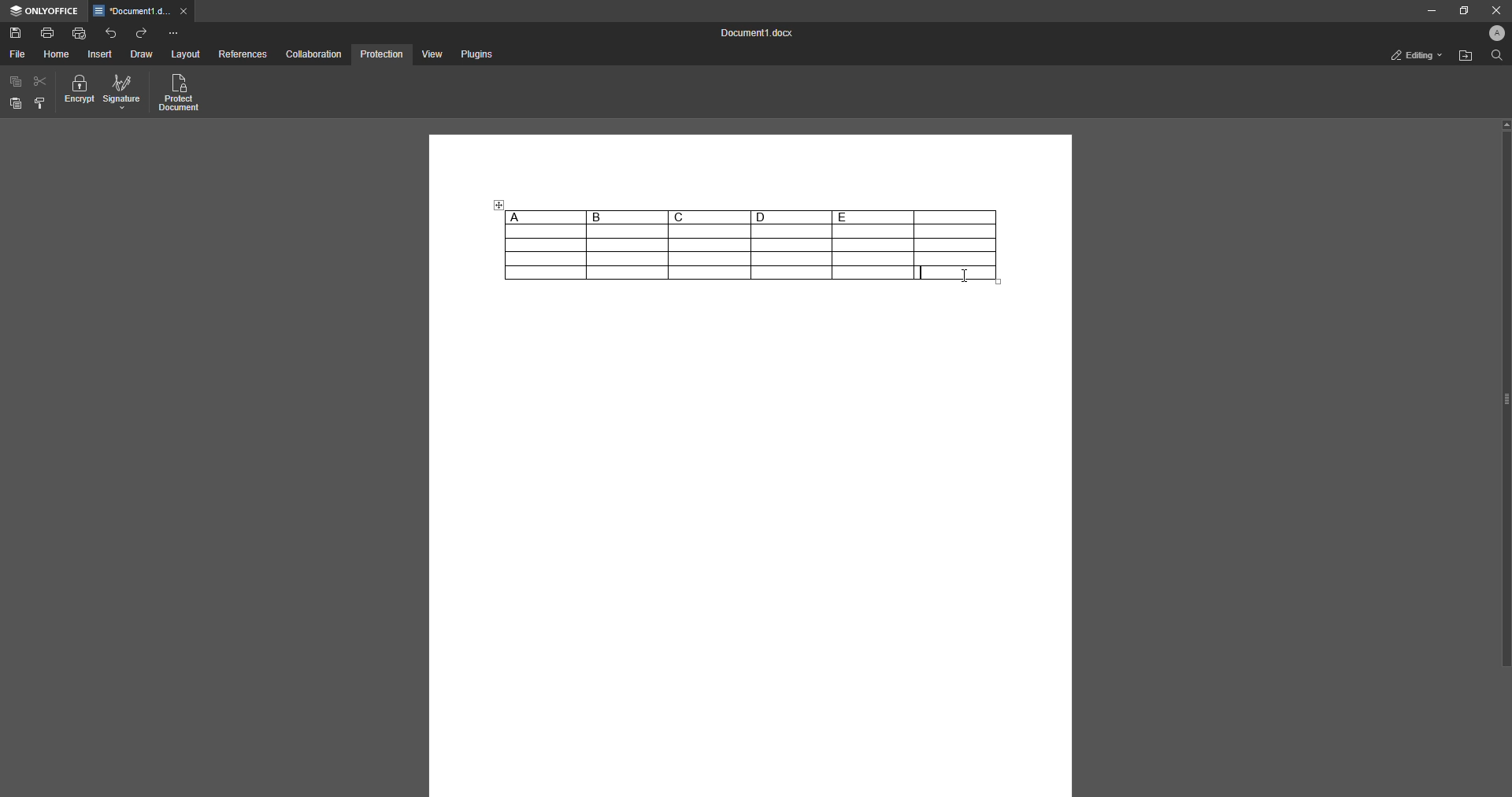 The width and height of the screenshot is (1512, 797). I want to click on Undo, so click(111, 32).